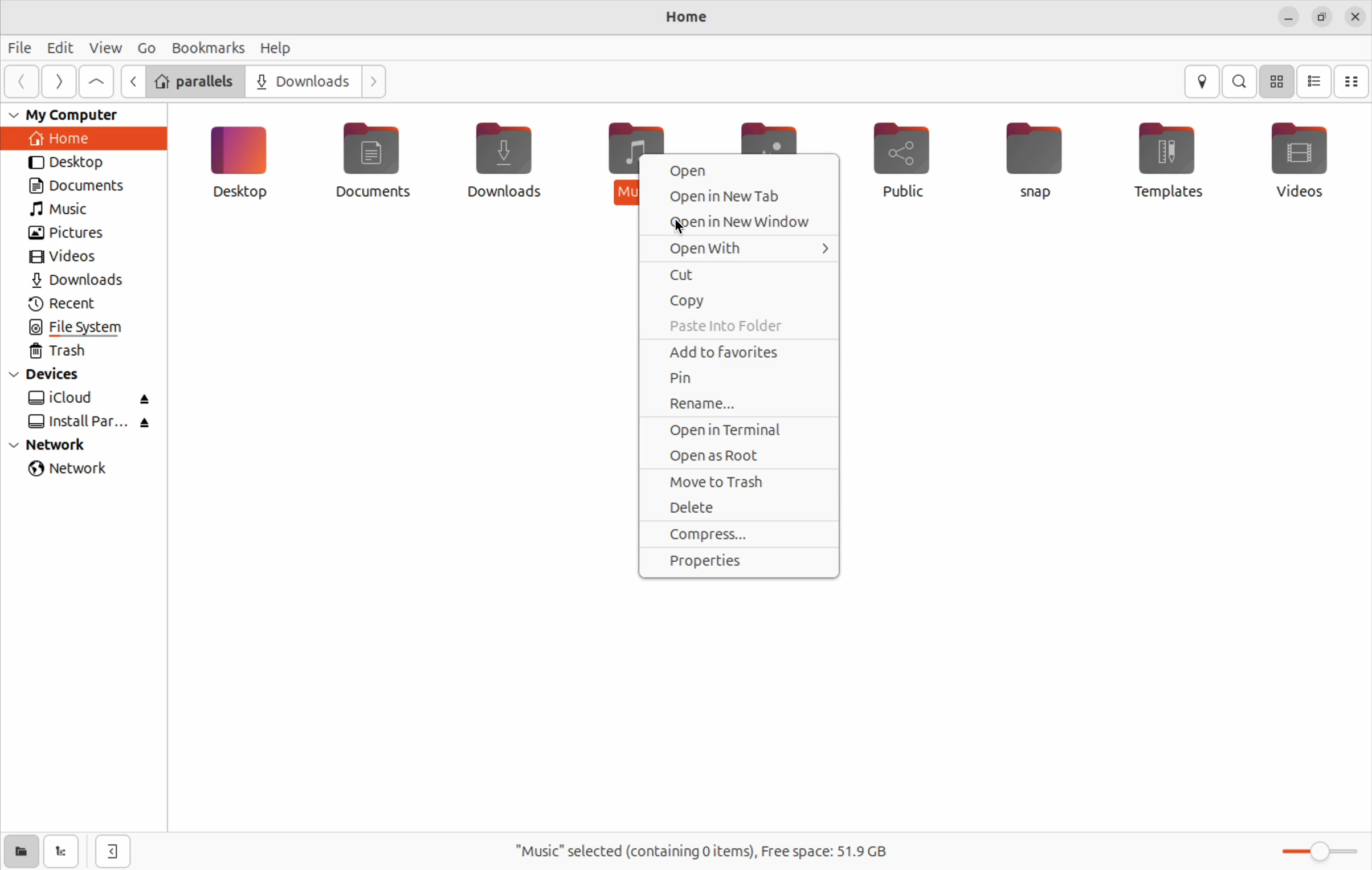 This screenshot has width=1372, height=870. Describe the element at coordinates (1278, 82) in the screenshot. I see `icon view` at that location.